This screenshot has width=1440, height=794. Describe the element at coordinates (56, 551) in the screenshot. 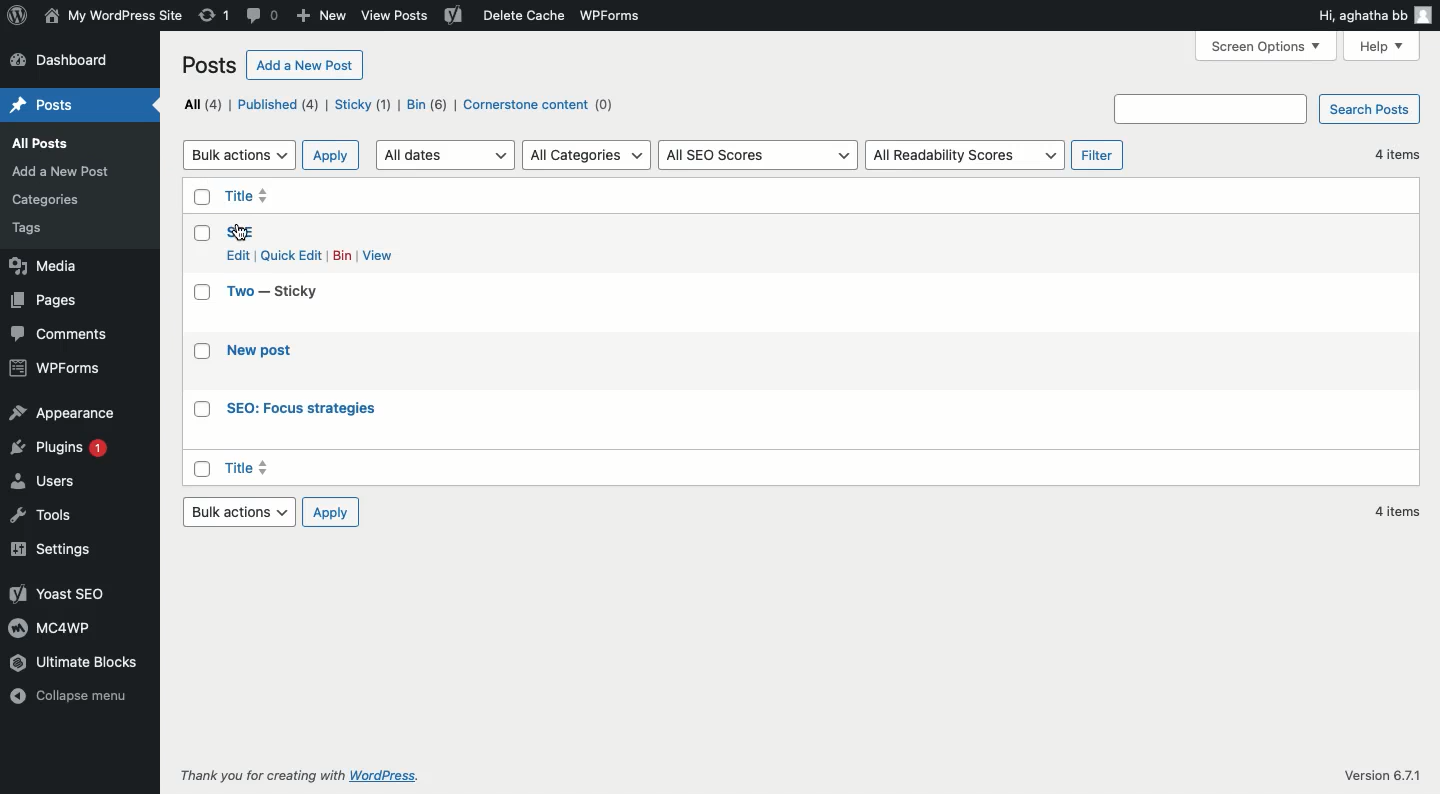

I see `Settings` at that location.